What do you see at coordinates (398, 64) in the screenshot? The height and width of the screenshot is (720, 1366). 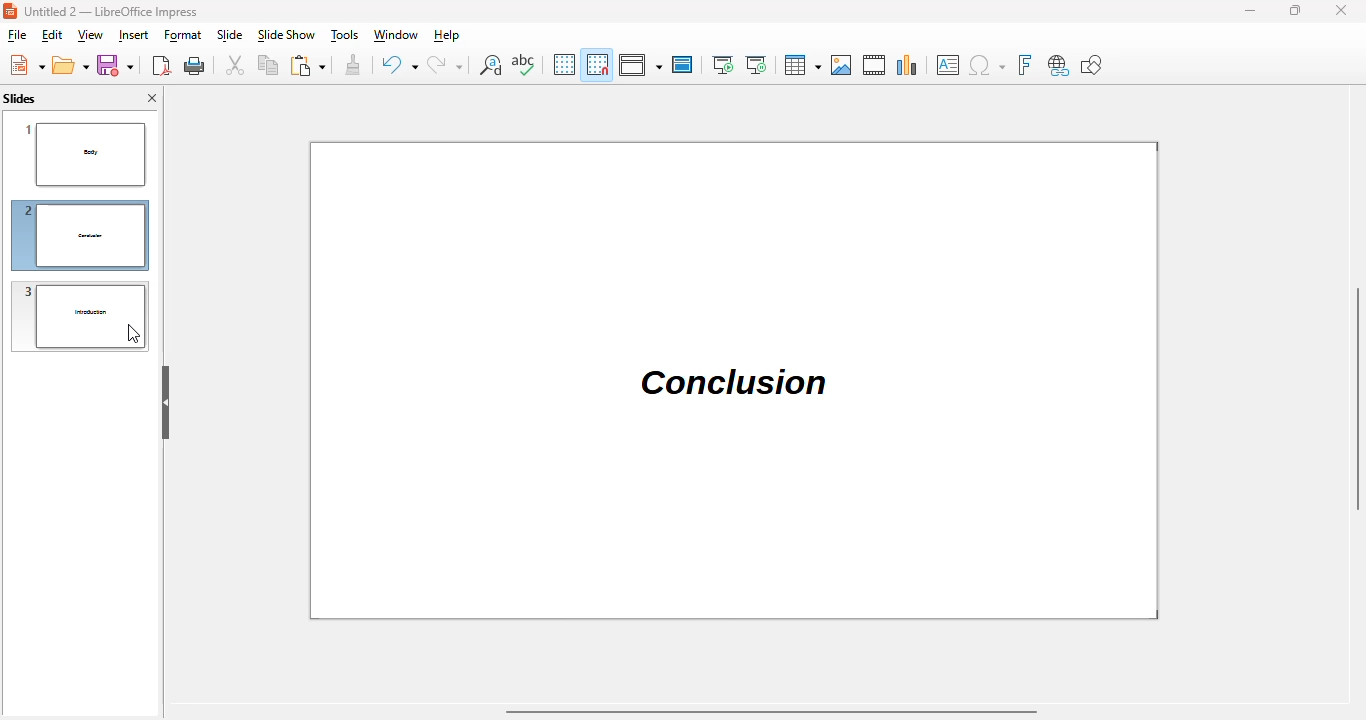 I see `undo` at bounding box center [398, 64].